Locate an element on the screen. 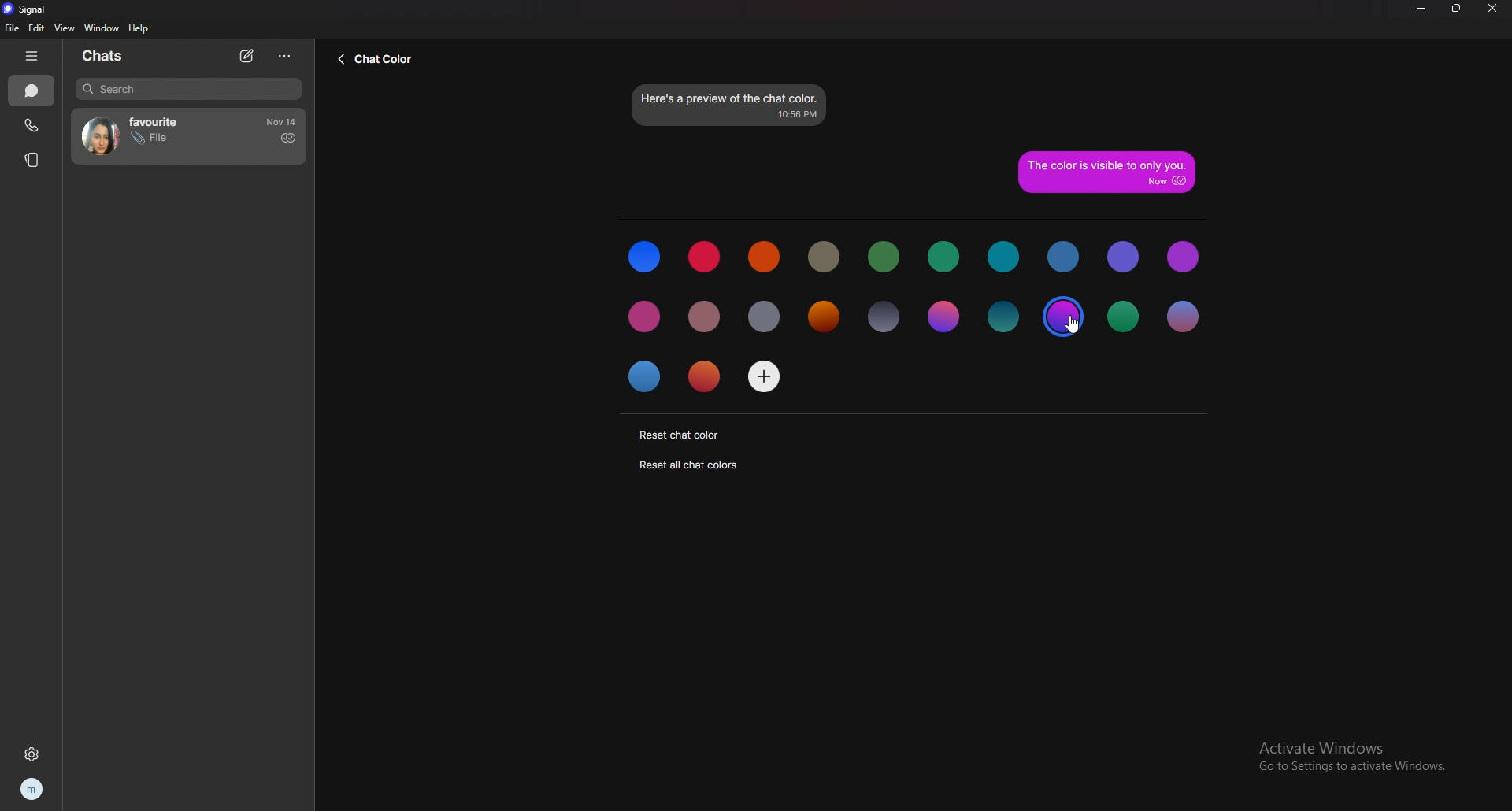  color is located at coordinates (647, 376).